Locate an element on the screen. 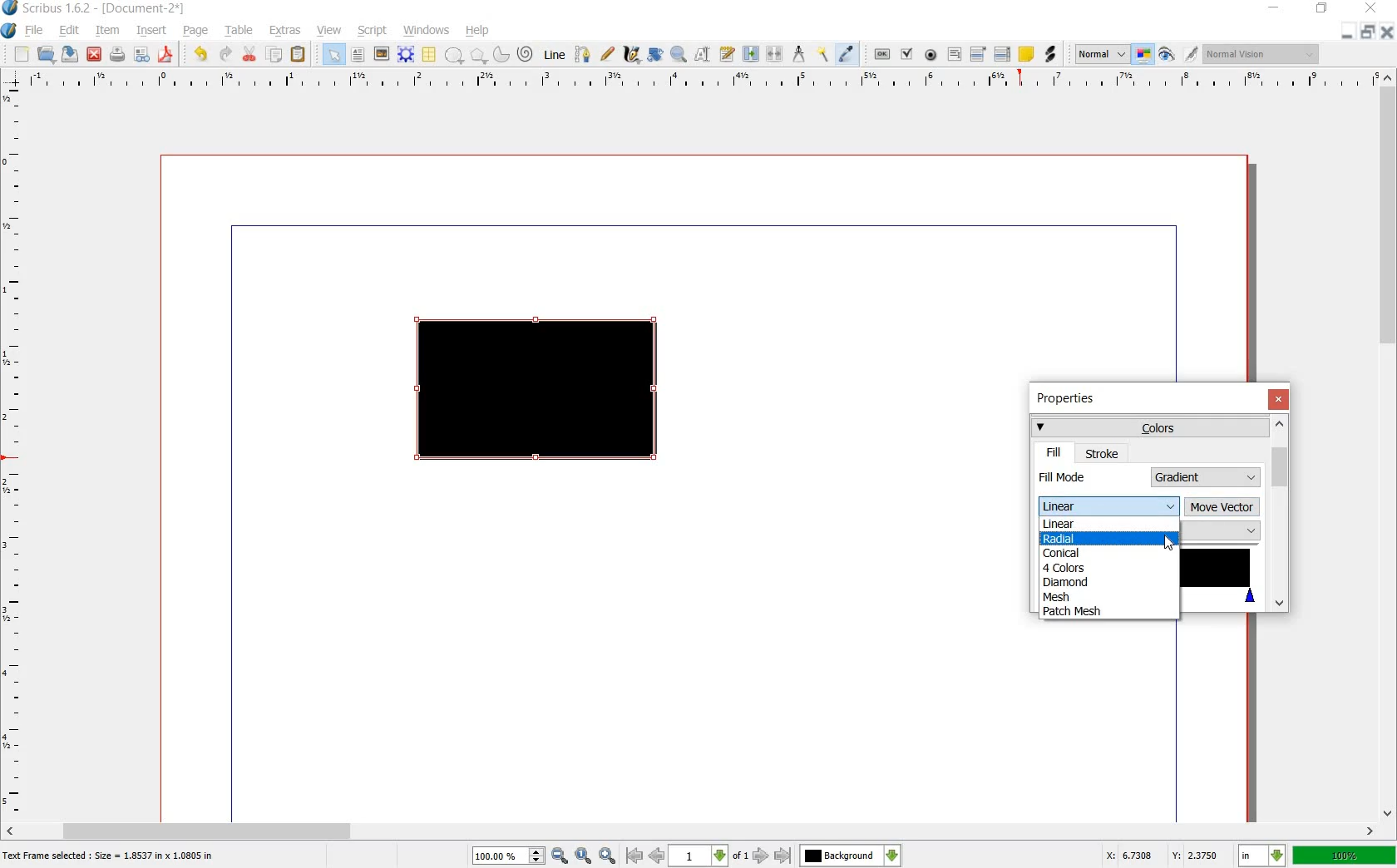 The image size is (1397, 868). text annotation is located at coordinates (1026, 54).